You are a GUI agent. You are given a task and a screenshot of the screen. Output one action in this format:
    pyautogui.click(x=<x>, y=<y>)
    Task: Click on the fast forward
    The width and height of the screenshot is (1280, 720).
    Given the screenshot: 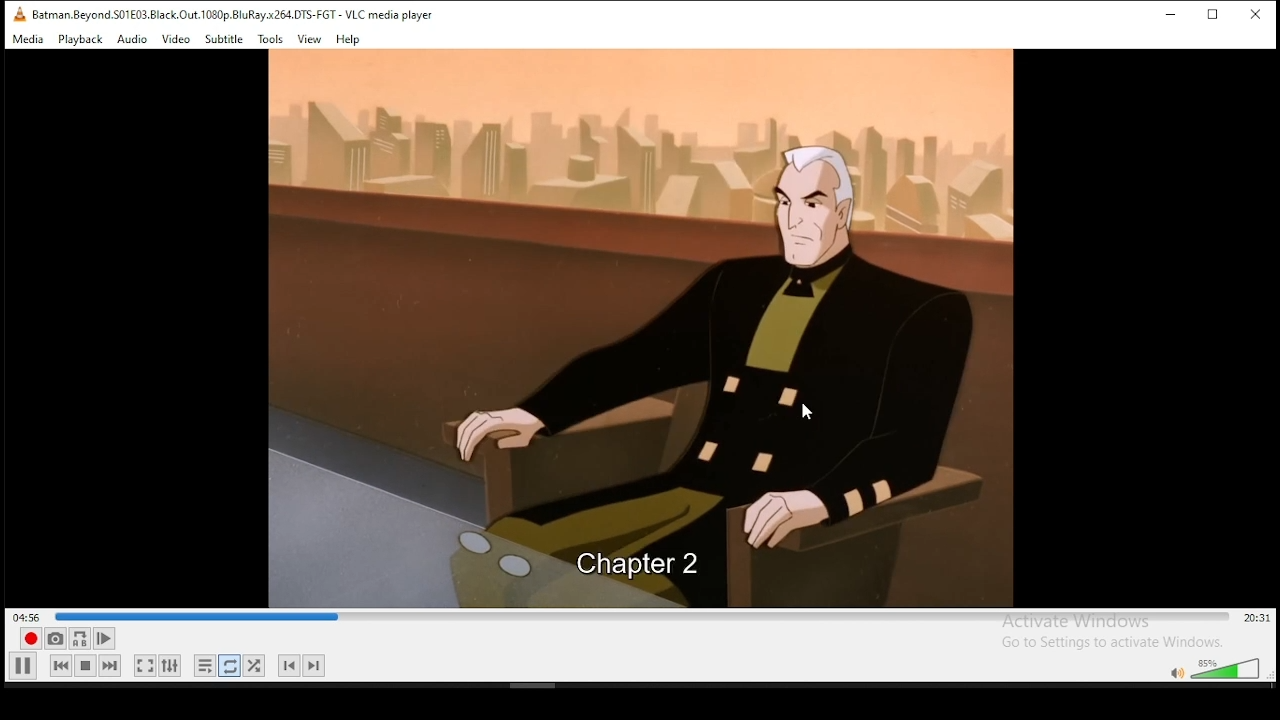 What is the action you would take?
    pyautogui.click(x=111, y=667)
    